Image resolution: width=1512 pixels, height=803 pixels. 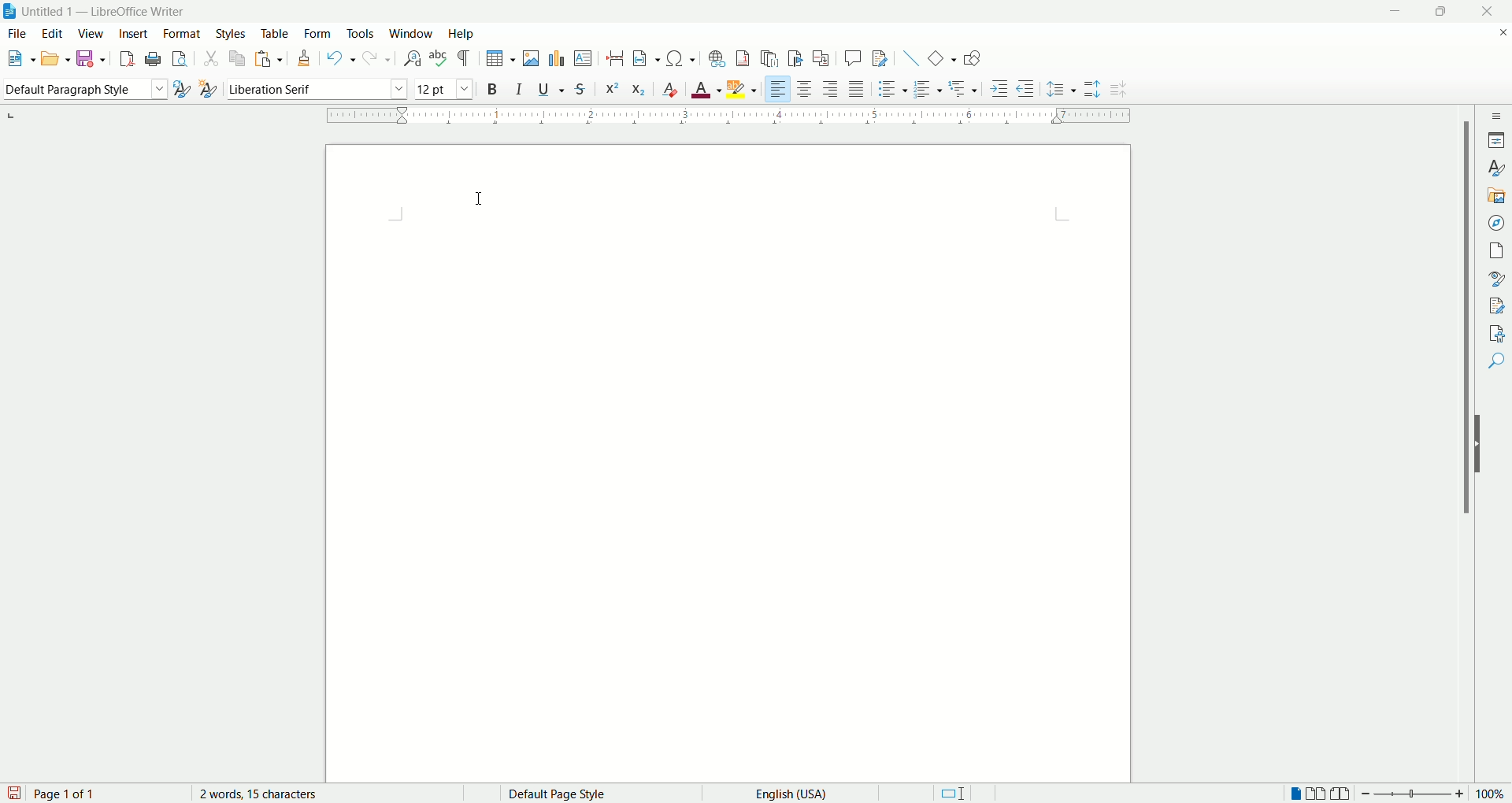 What do you see at coordinates (592, 792) in the screenshot?
I see `page style` at bounding box center [592, 792].